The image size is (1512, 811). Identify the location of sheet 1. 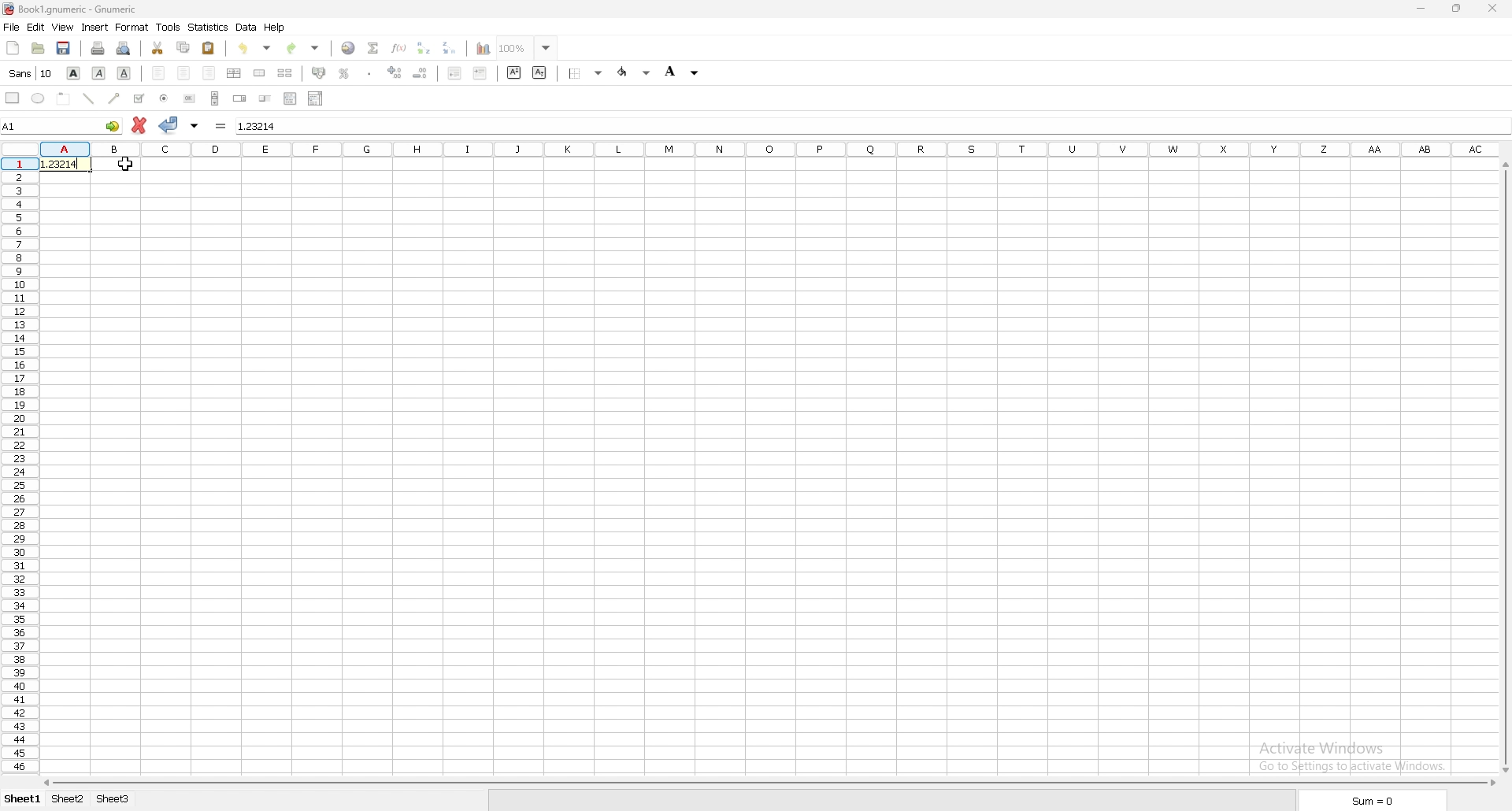
(23, 799).